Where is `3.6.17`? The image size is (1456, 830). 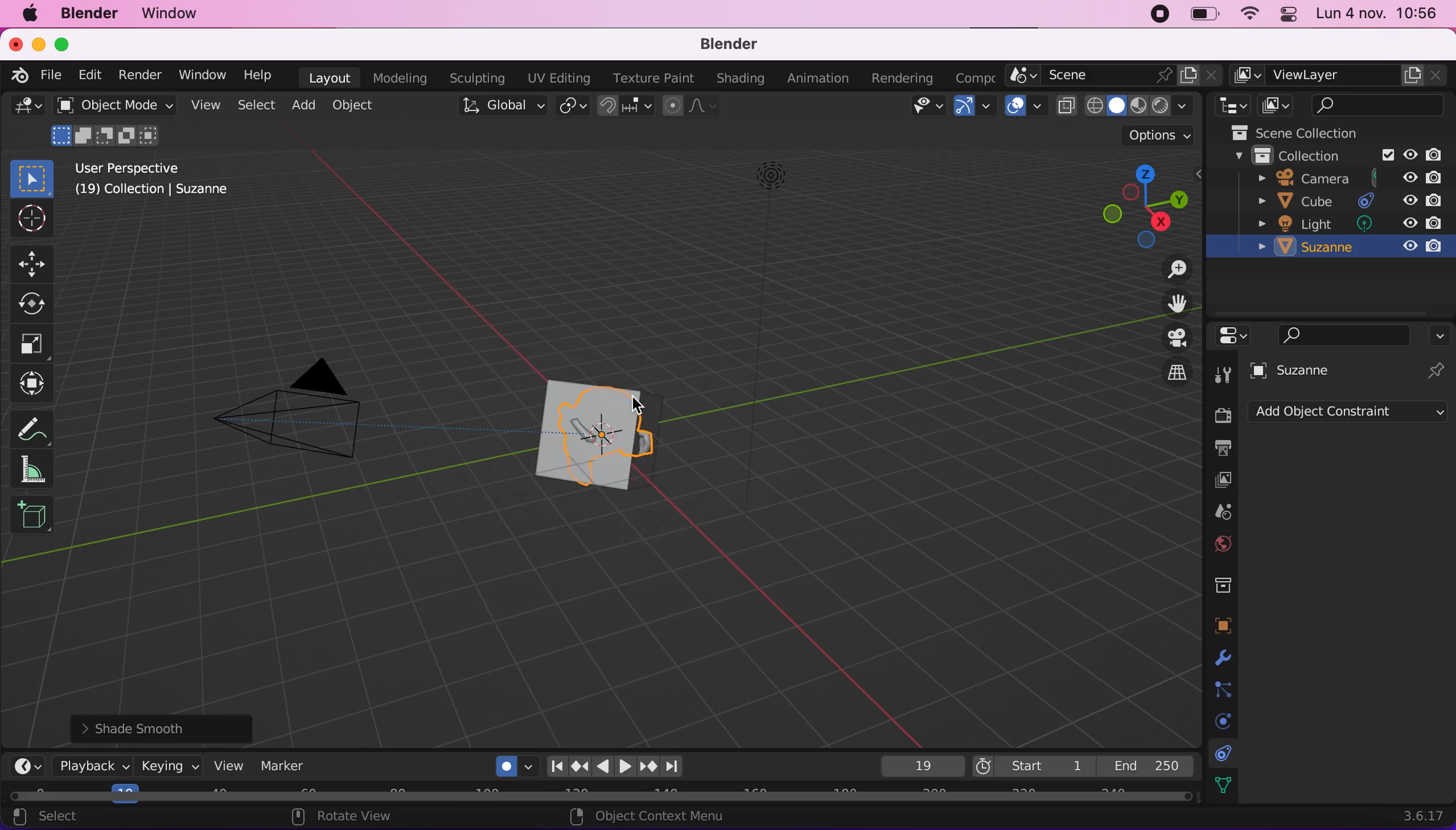 3.6.17 is located at coordinates (1410, 815).